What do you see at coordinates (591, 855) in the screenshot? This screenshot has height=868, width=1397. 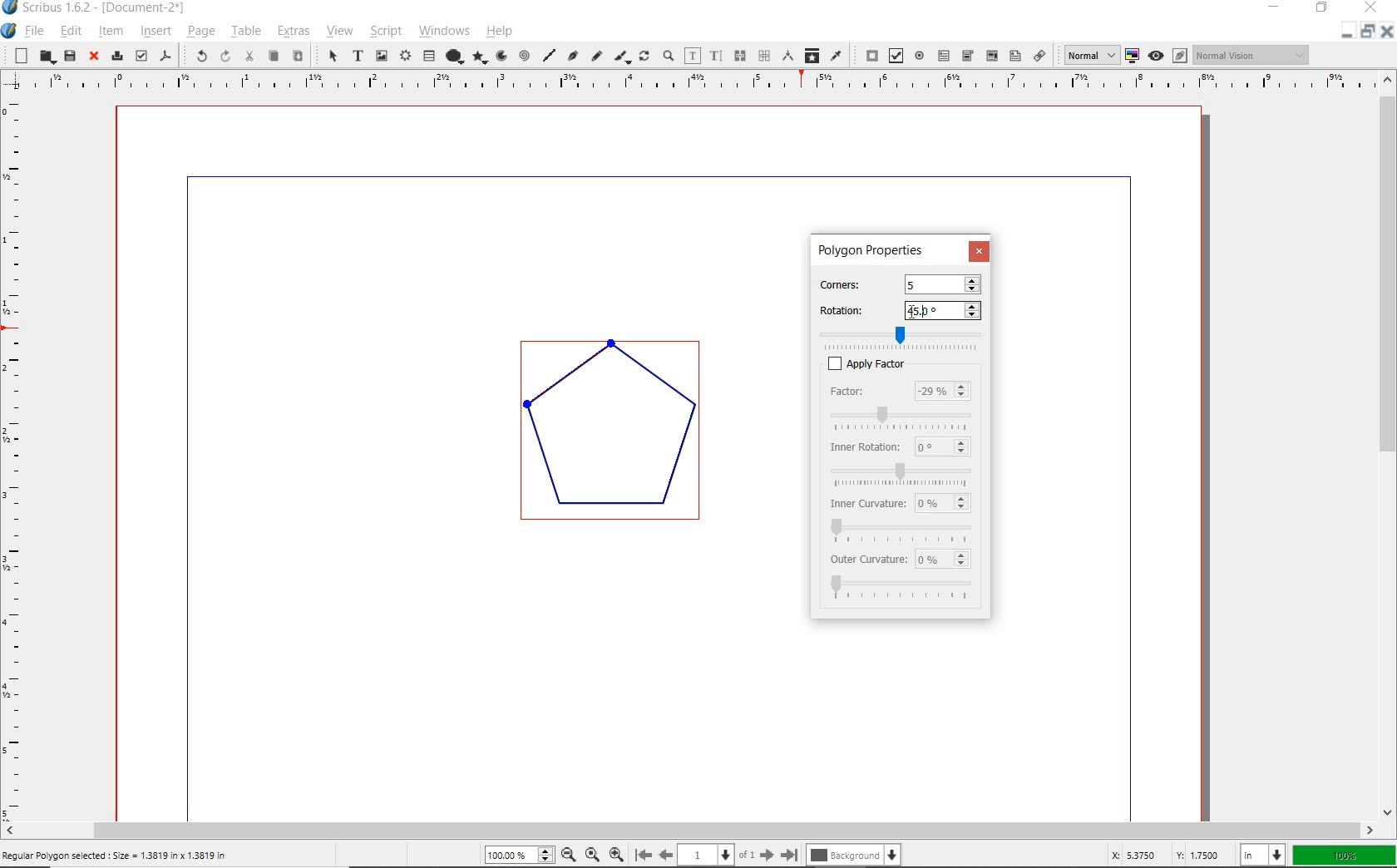 I see `zoom to` at bounding box center [591, 855].